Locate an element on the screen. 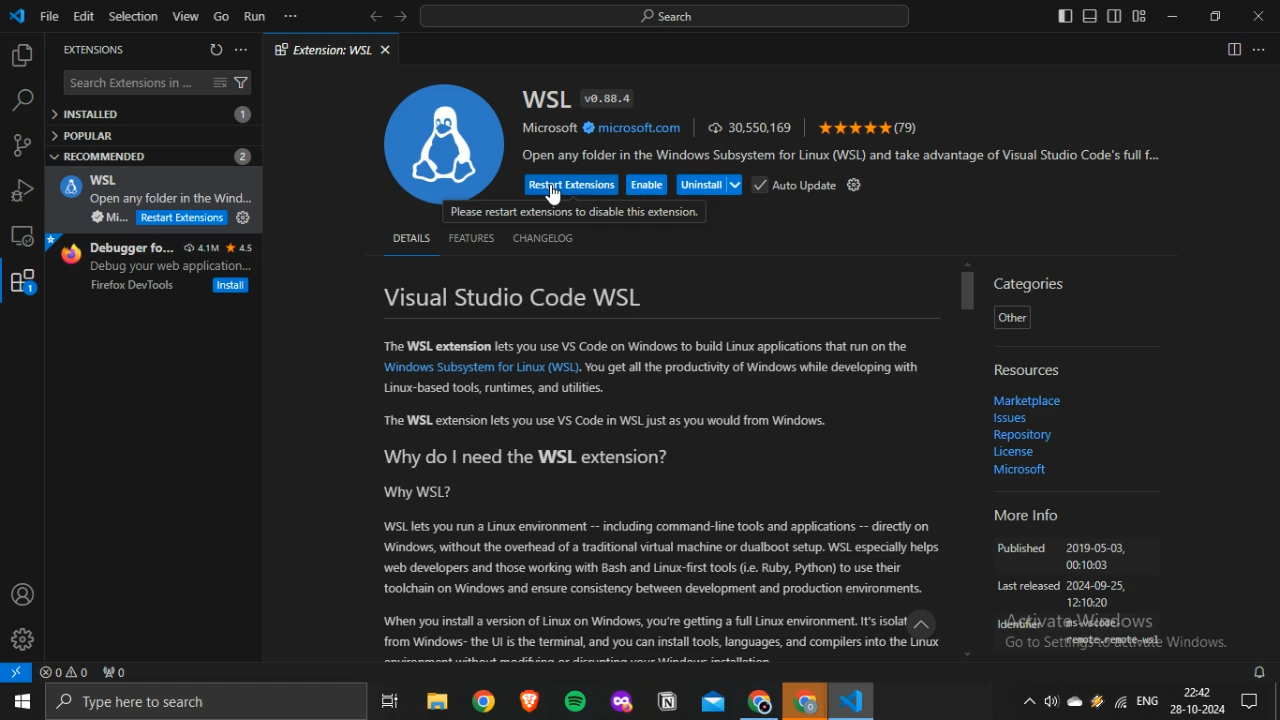 This screenshot has width=1280, height=720. Search Extensions in ... is located at coordinates (132, 83).